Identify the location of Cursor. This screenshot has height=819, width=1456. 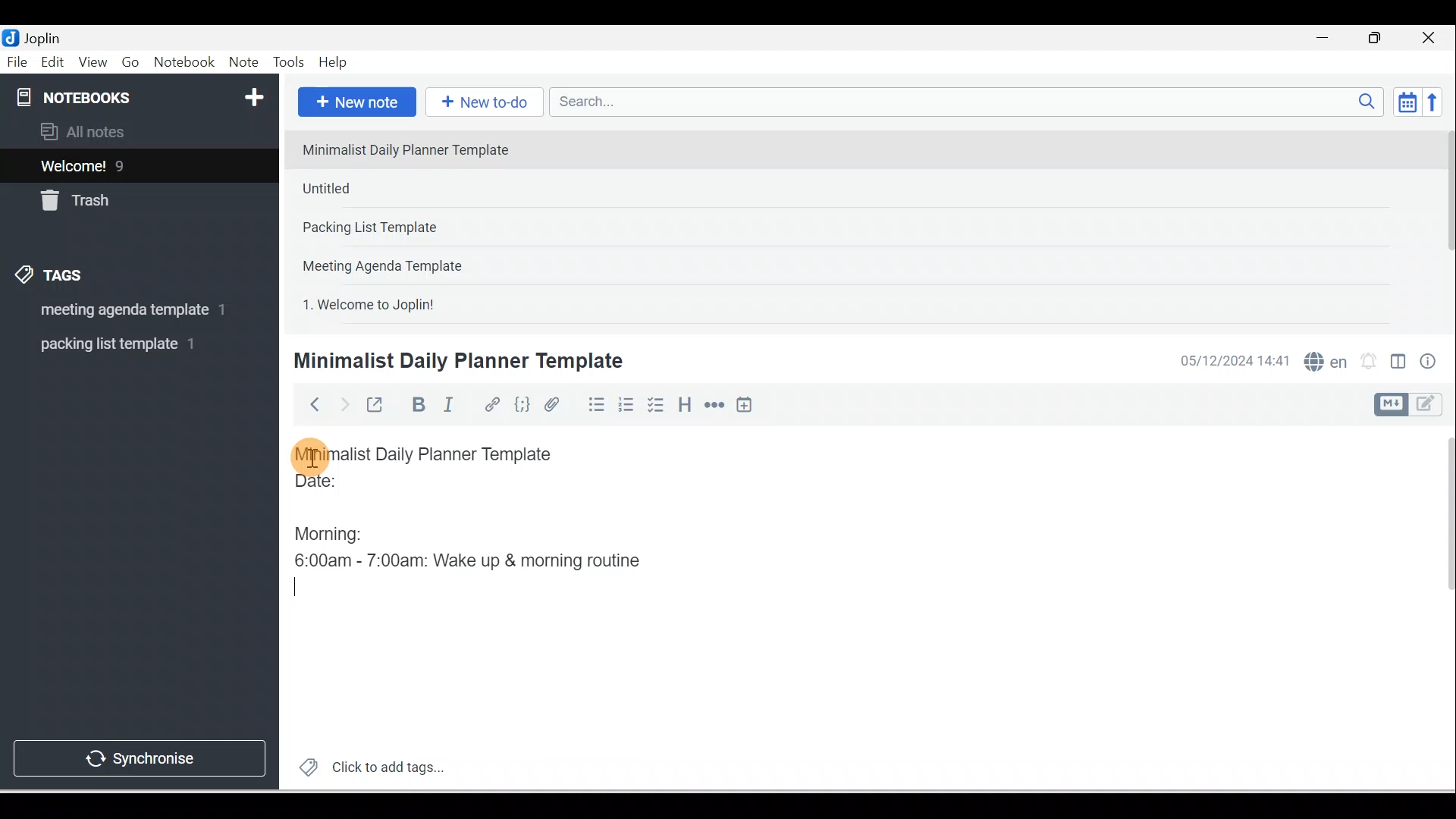
(311, 455).